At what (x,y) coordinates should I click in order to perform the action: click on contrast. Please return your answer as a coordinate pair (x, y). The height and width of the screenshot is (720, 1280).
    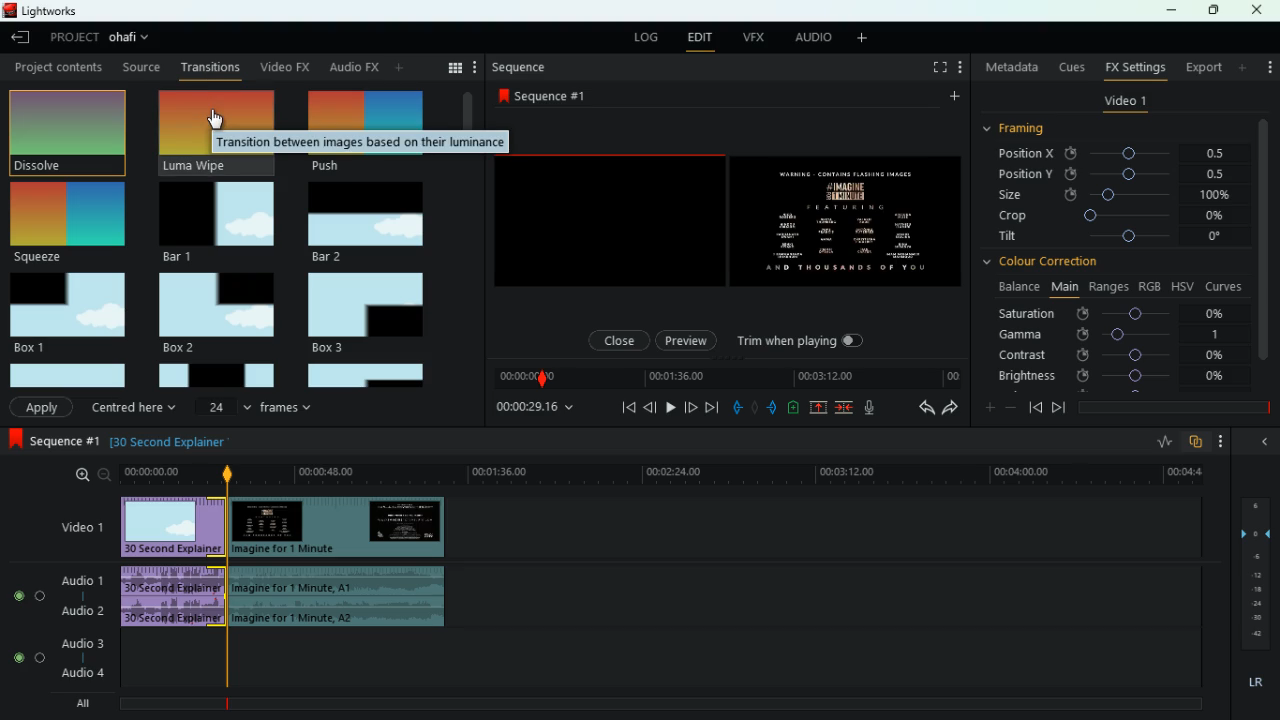
    Looking at the image, I should click on (1113, 354).